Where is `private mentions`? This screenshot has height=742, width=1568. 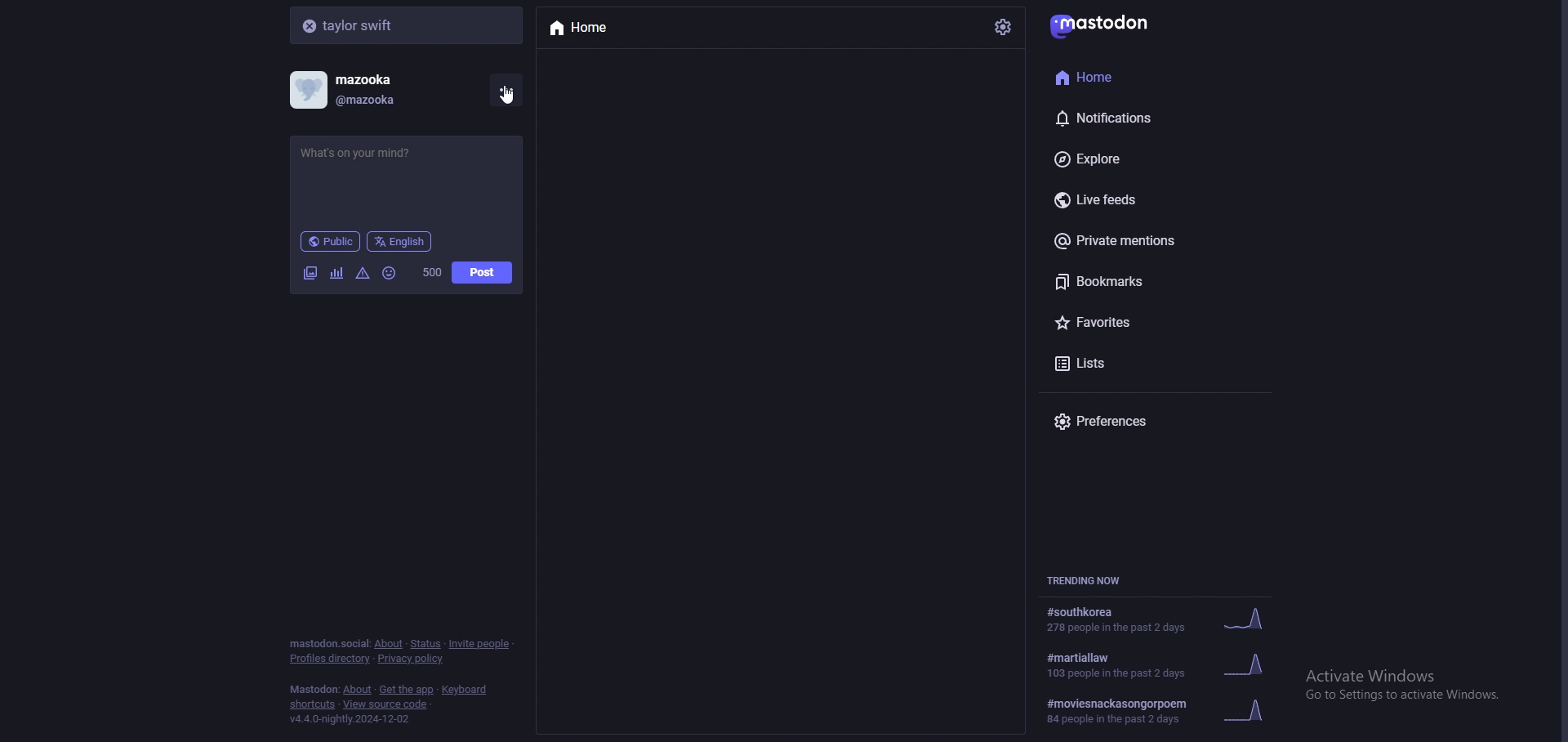 private mentions is located at coordinates (1145, 239).